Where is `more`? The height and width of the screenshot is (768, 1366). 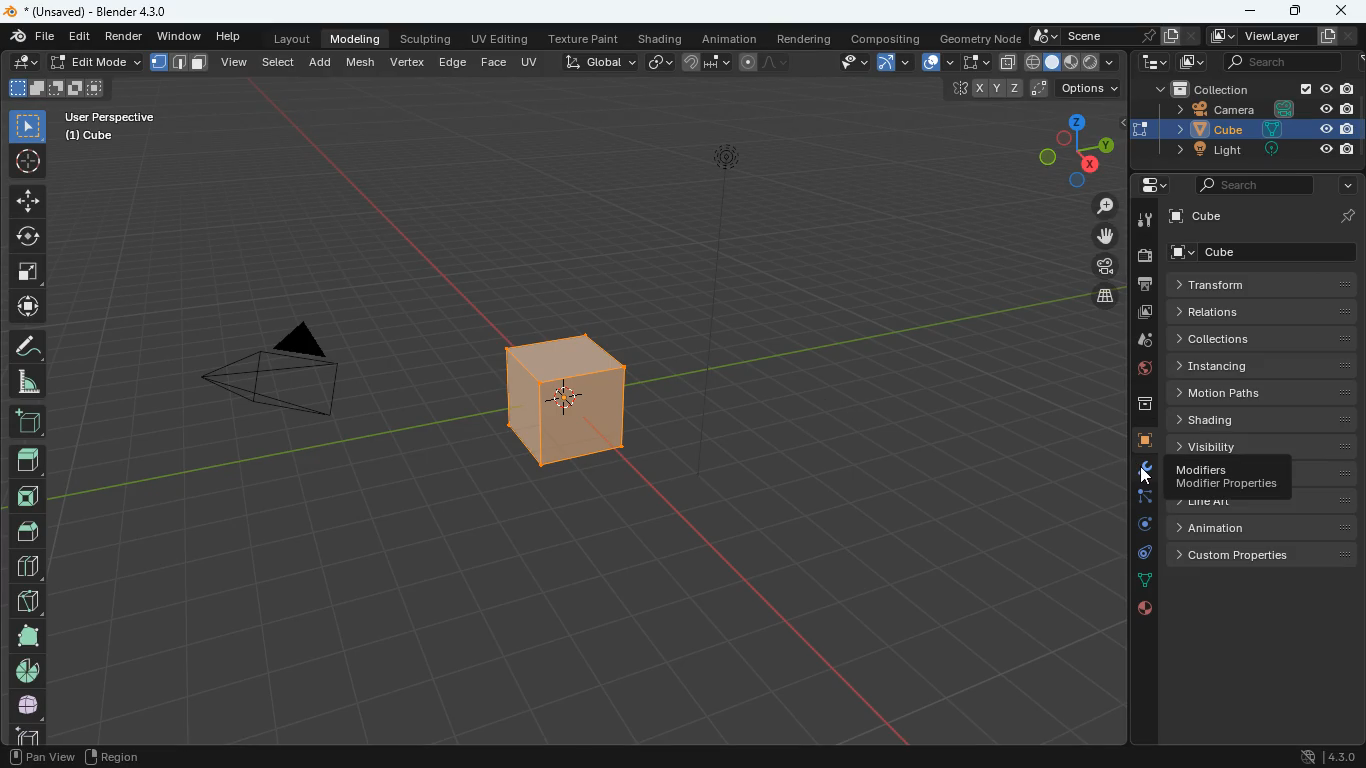 more is located at coordinates (1346, 186).